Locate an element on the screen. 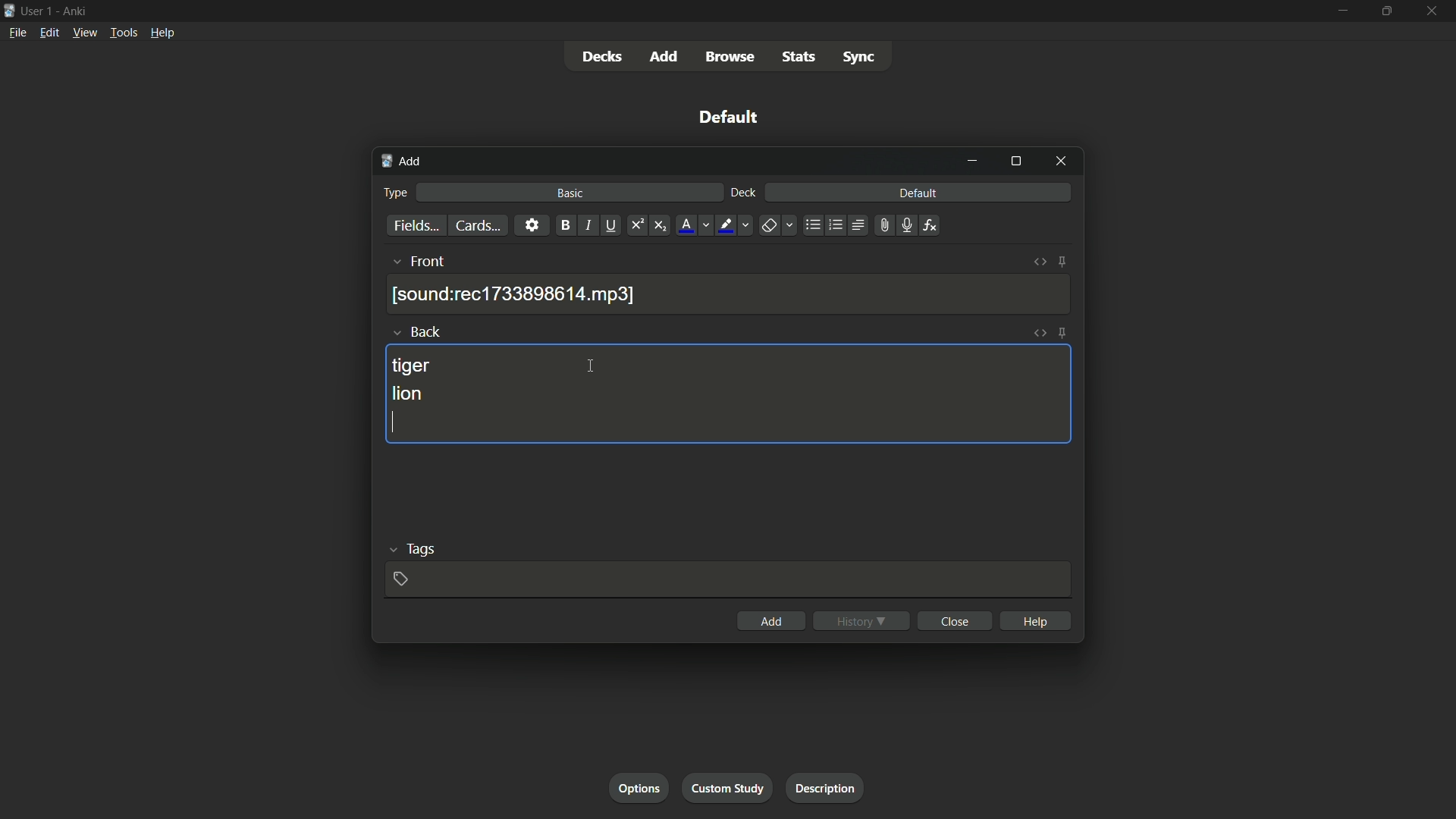 The height and width of the screenshot is (819, 1456). back is located at coordinates (428, 331).